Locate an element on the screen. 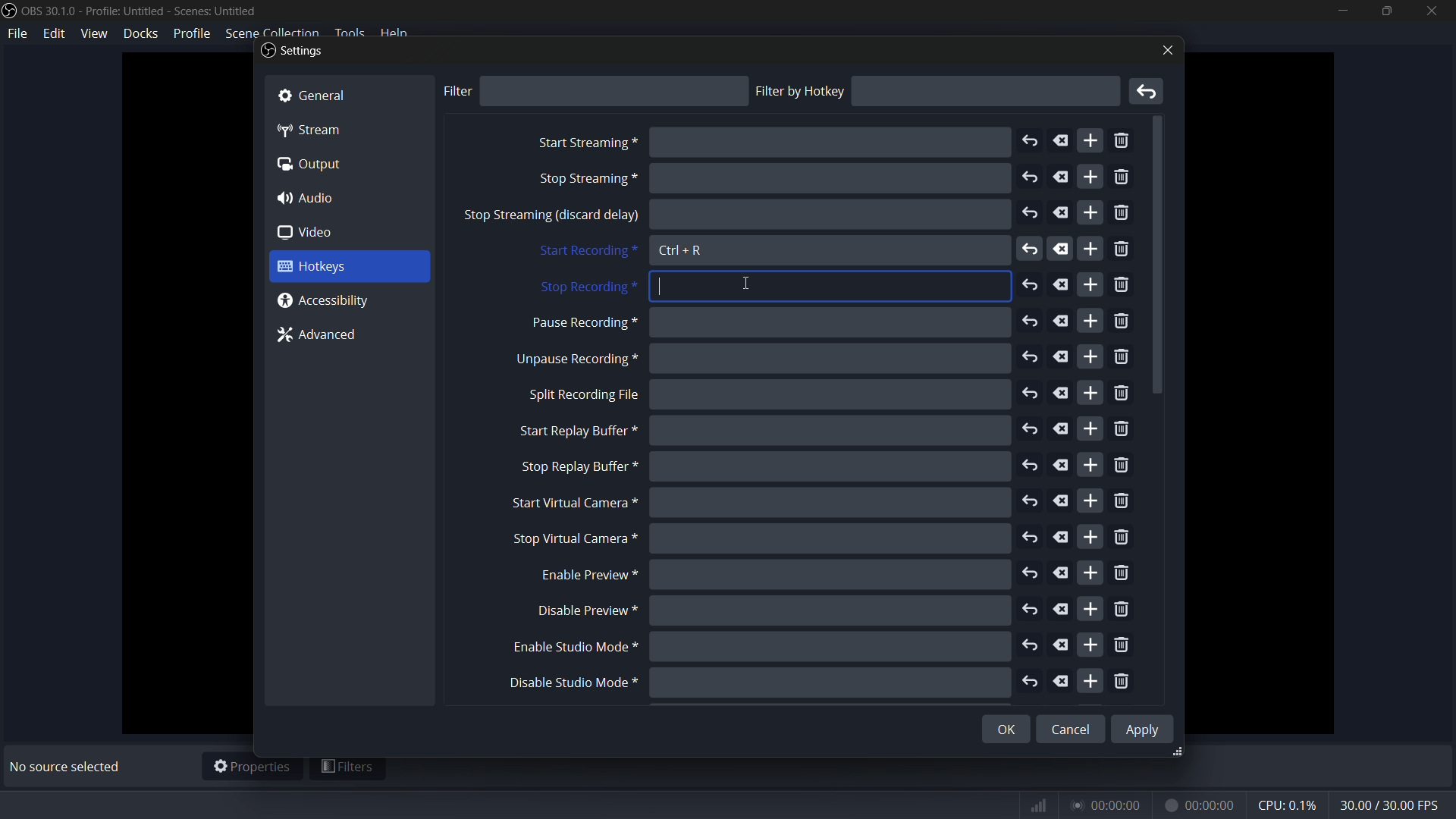 The image size is (1456, 819). filter by hotkey is located at coordinates (800, 91).